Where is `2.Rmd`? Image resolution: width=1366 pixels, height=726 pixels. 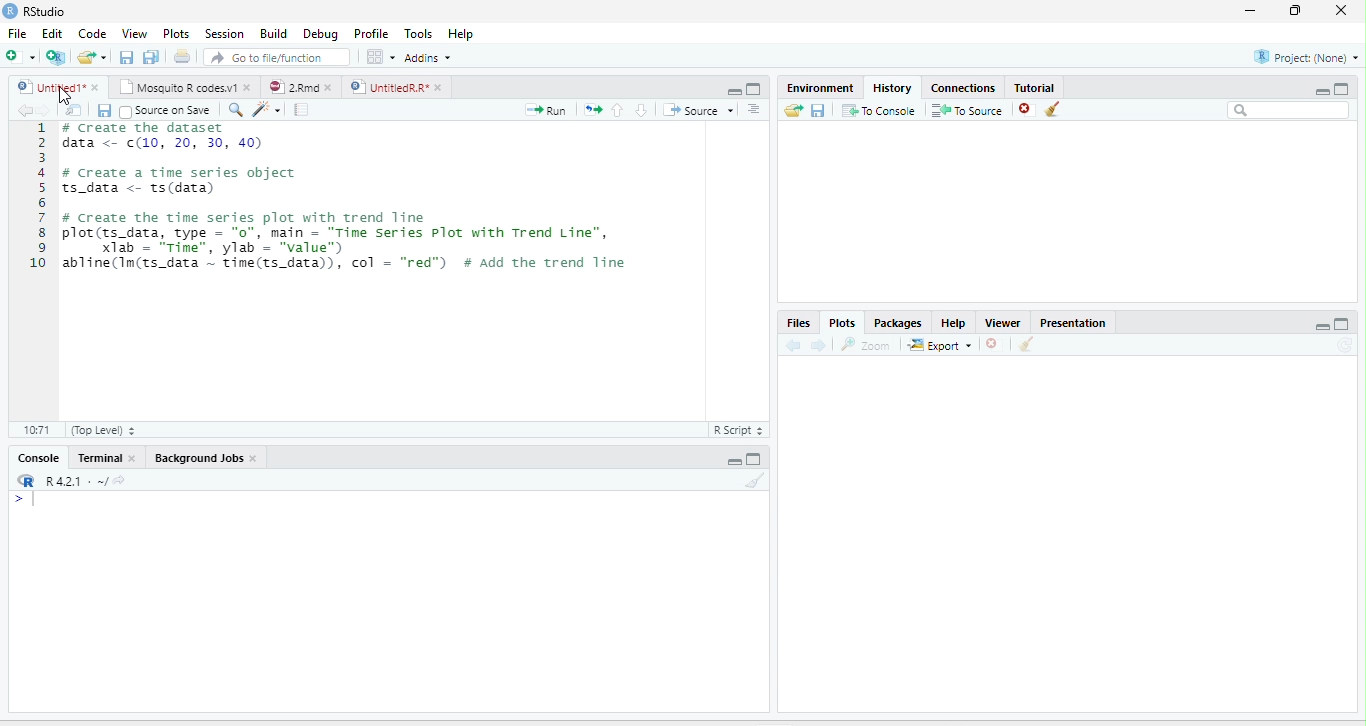 2.Rmd is located at coordinates (291, 87).